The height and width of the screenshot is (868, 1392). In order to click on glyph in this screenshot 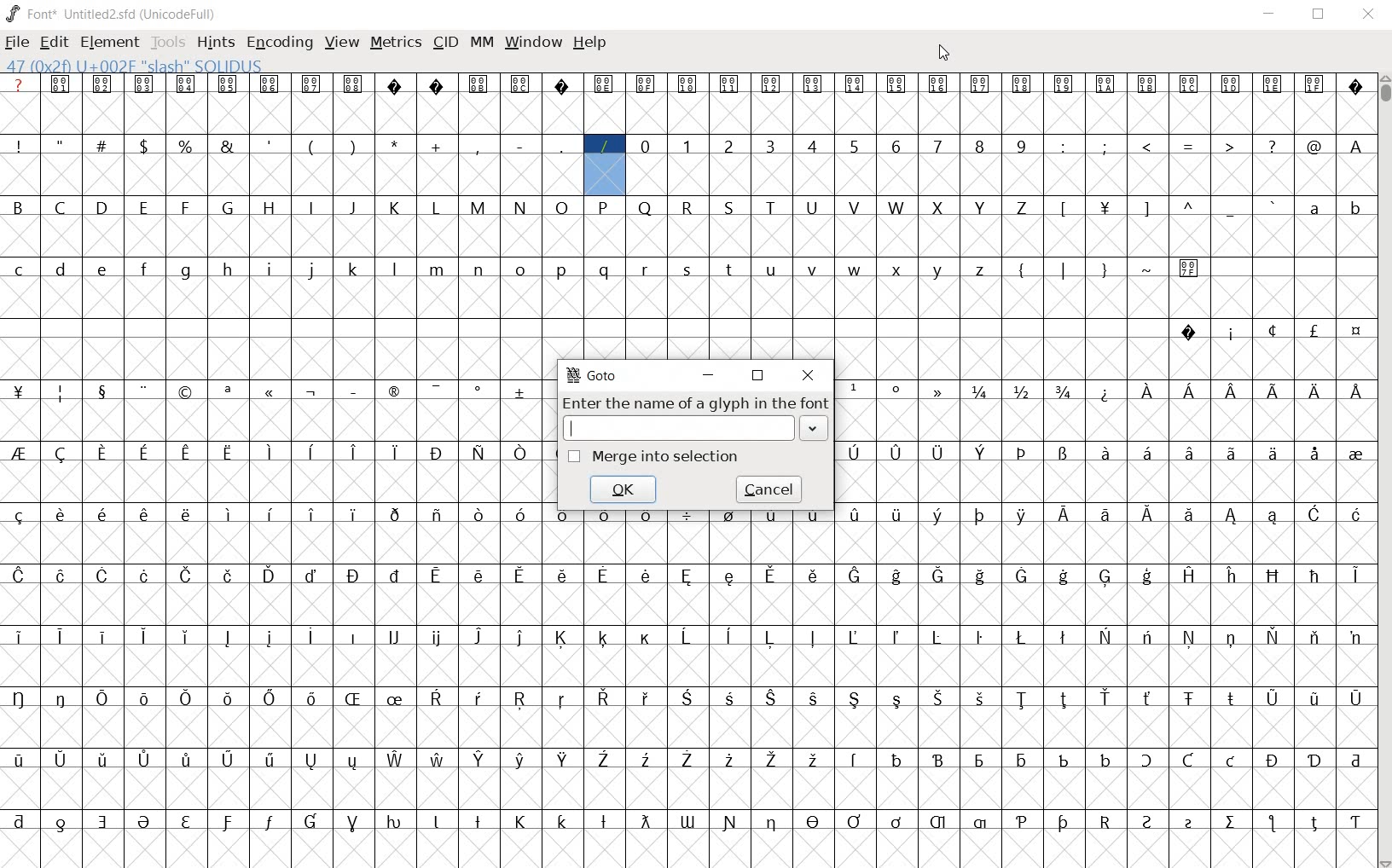, I will do `click(355, 392)`.